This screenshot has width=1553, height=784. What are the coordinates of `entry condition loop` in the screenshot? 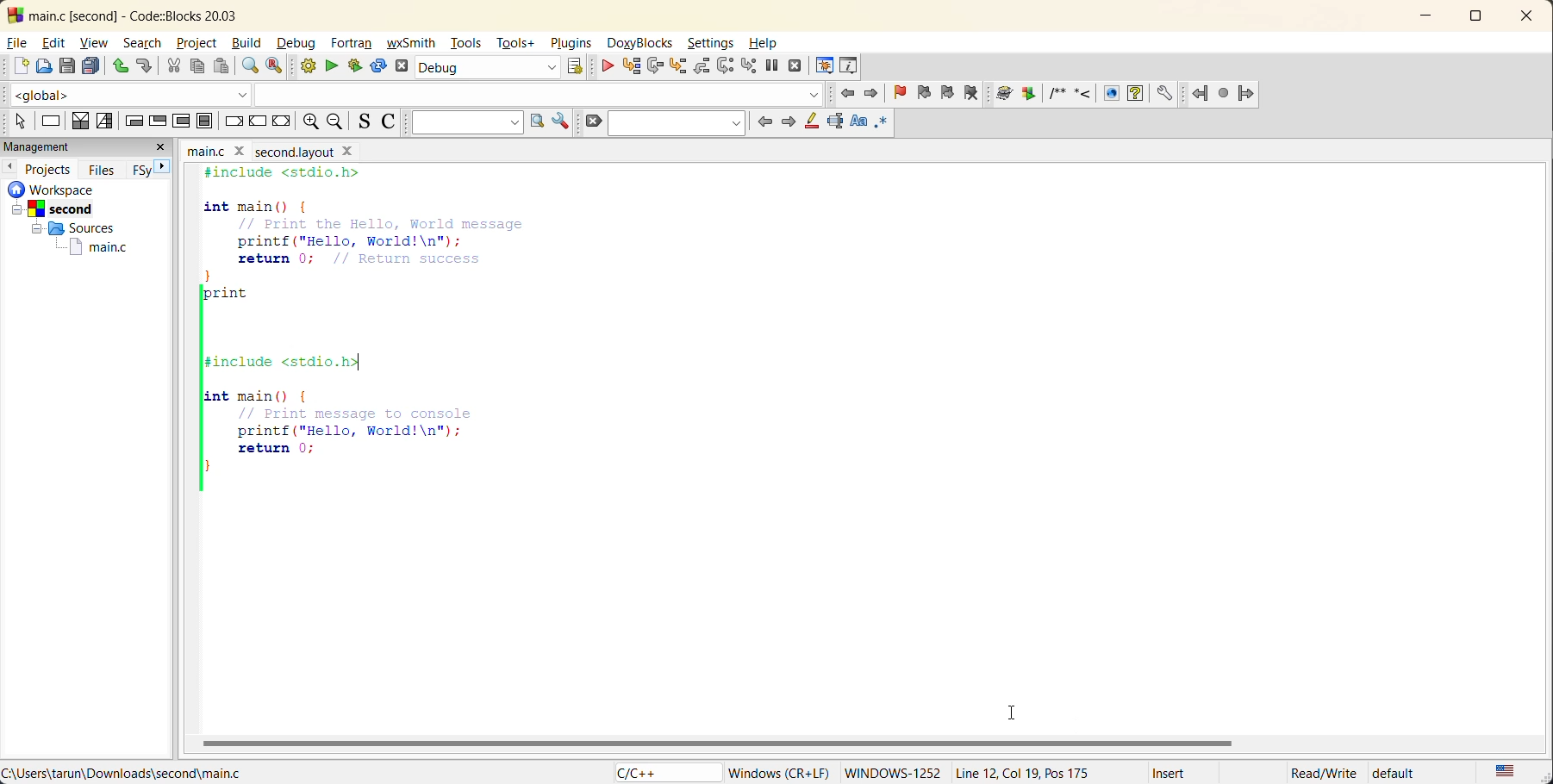 It's located at (132, 121).